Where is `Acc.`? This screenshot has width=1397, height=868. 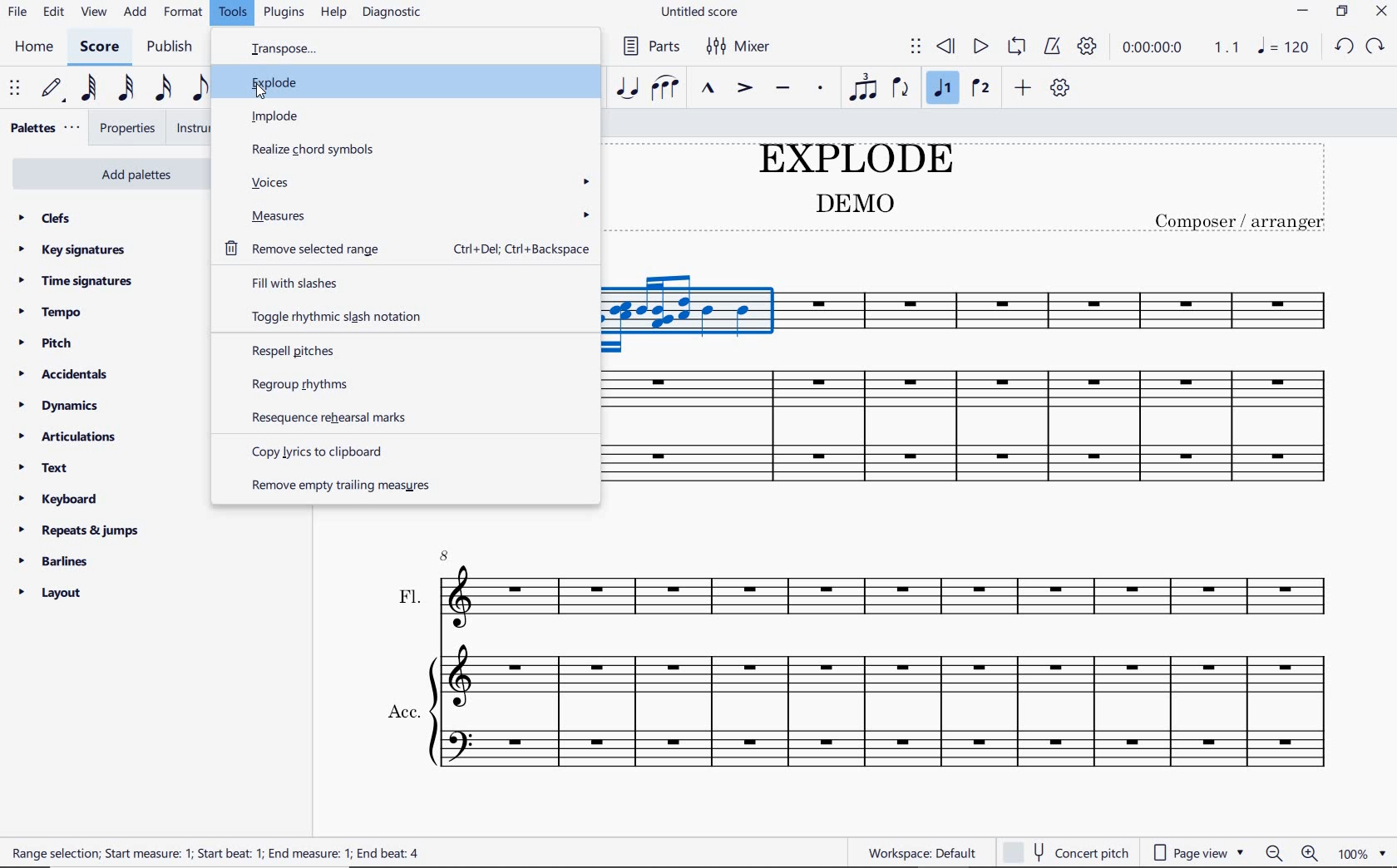 Acc. is located at coordinates (862, 713).